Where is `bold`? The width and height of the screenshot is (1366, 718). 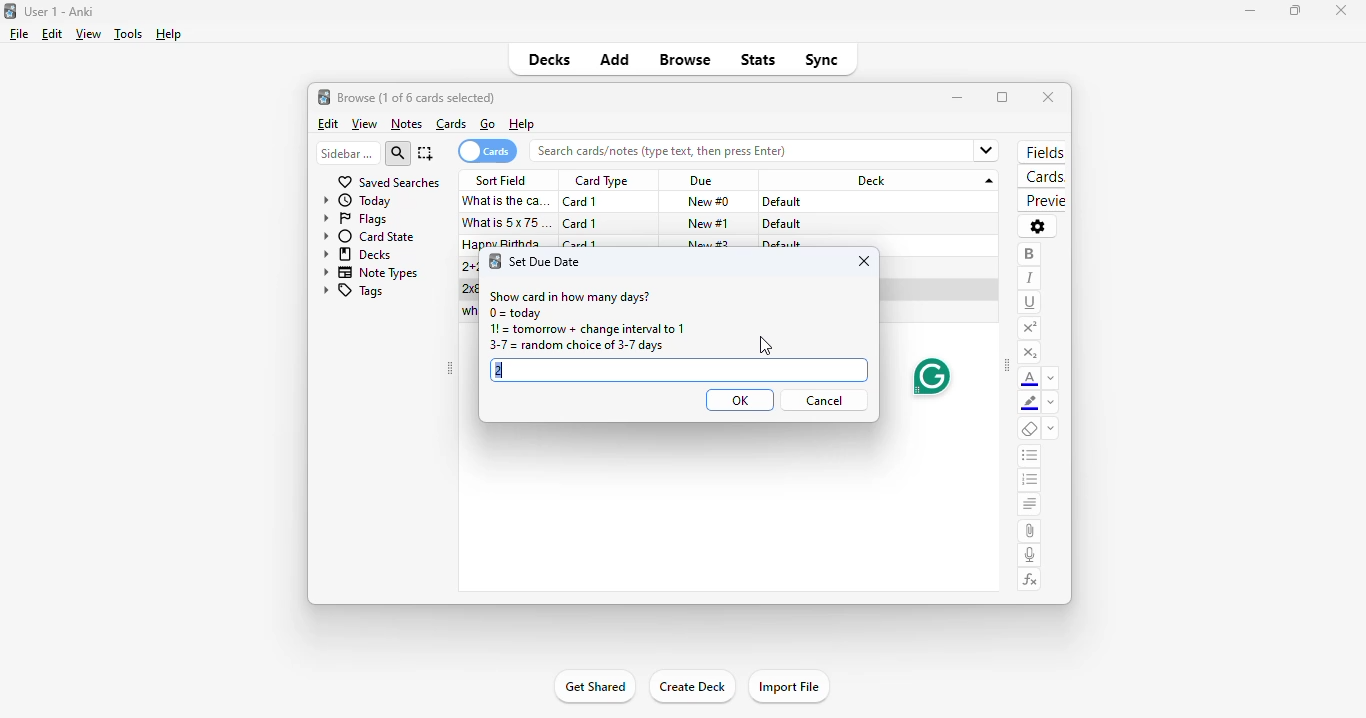 bold is located at coordinates (1029, 254).